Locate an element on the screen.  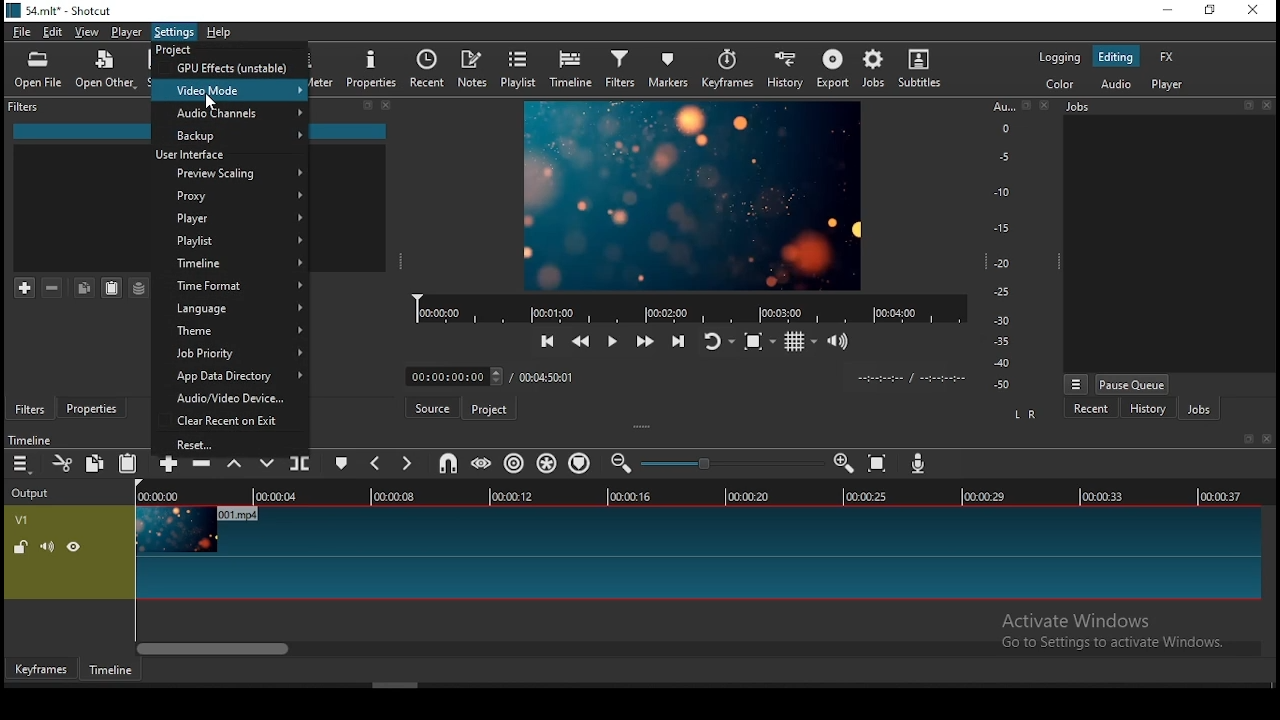
preview scaling is located at coordinates (231, 172).